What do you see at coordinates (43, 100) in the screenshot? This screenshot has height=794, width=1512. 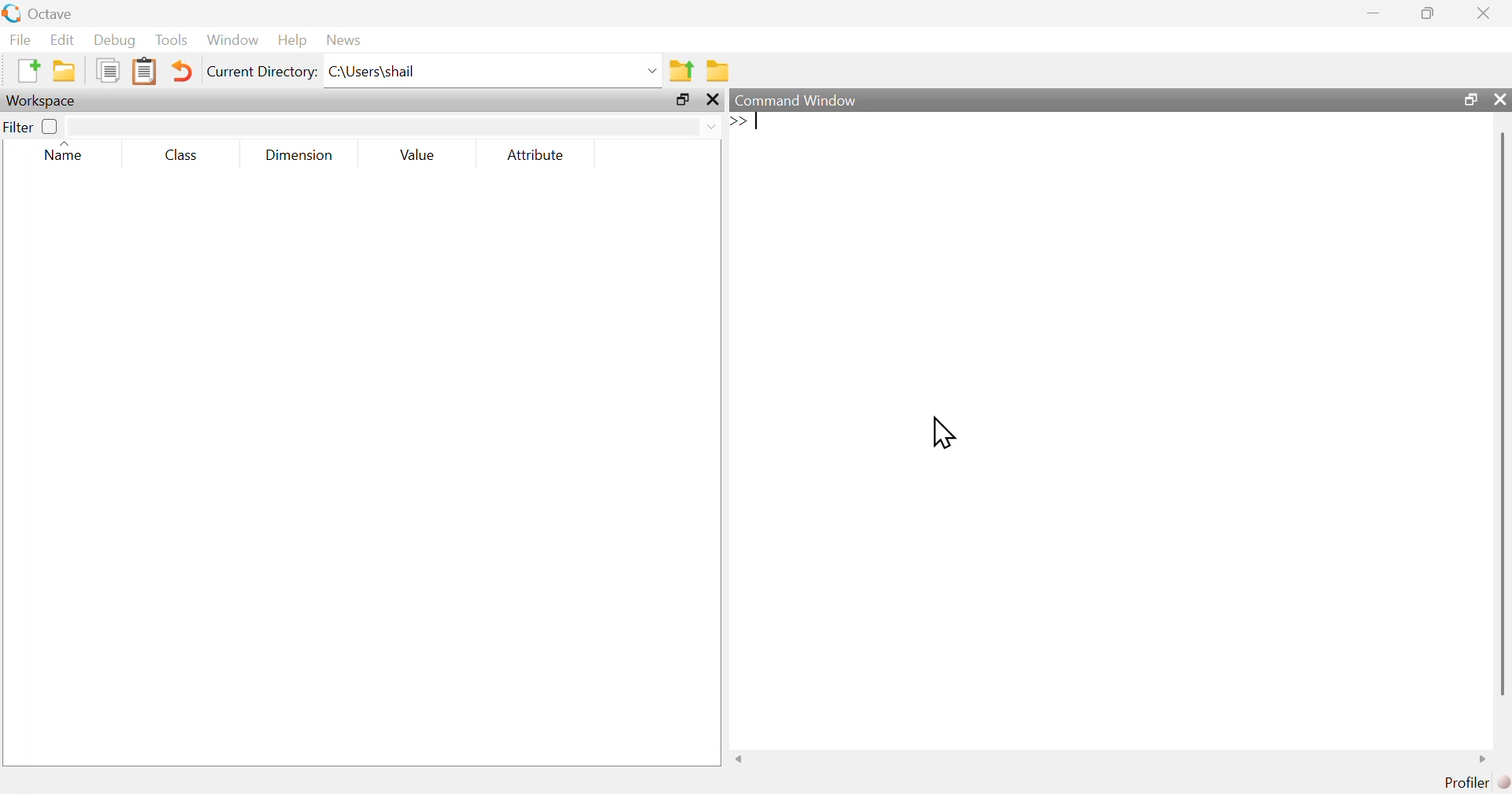 I see `Workspace` at bounding box center [43, 100].